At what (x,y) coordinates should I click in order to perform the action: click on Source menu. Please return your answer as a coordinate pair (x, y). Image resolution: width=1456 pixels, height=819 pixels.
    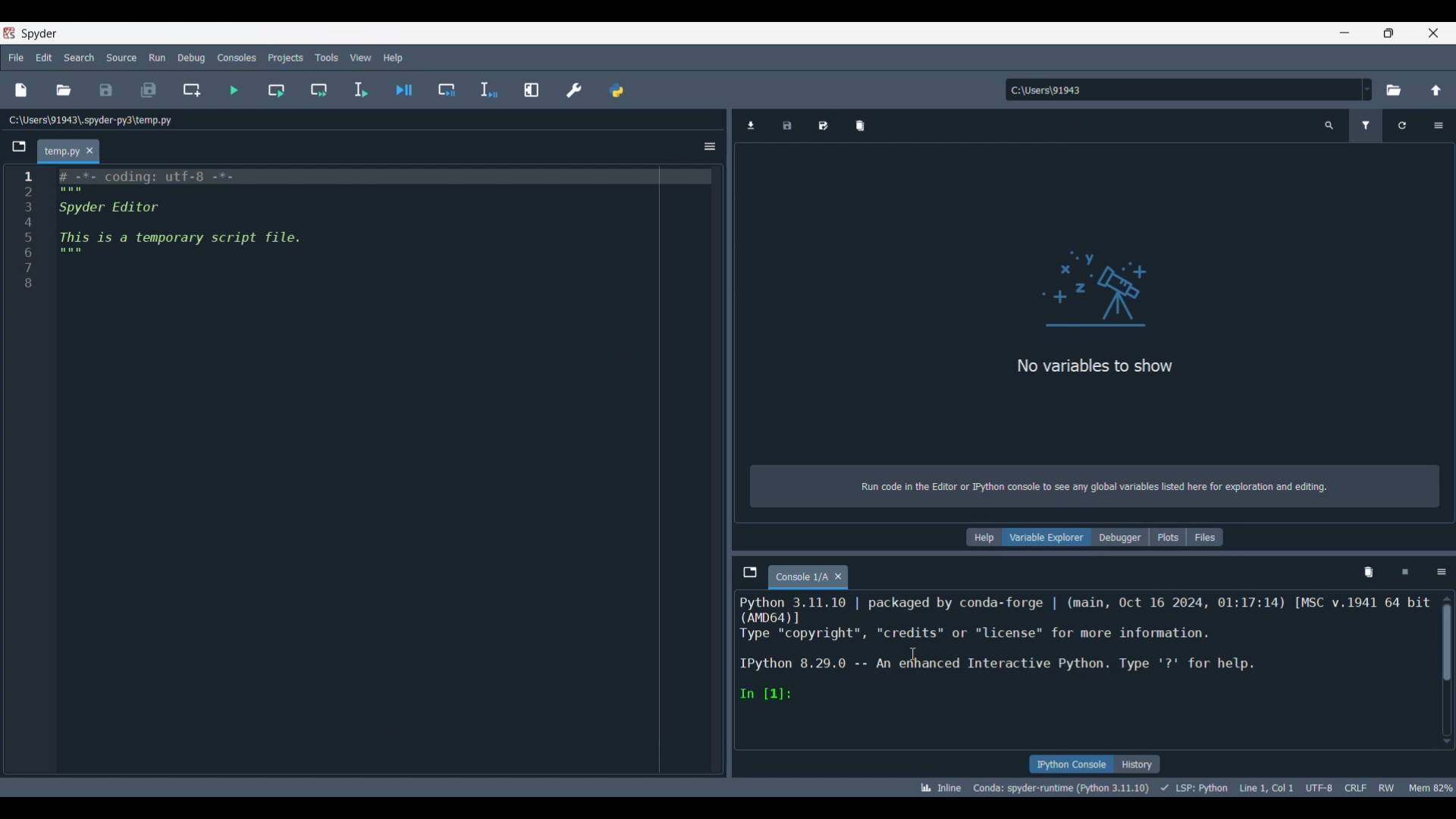
    Looking at the image, I should click on (121, 58).